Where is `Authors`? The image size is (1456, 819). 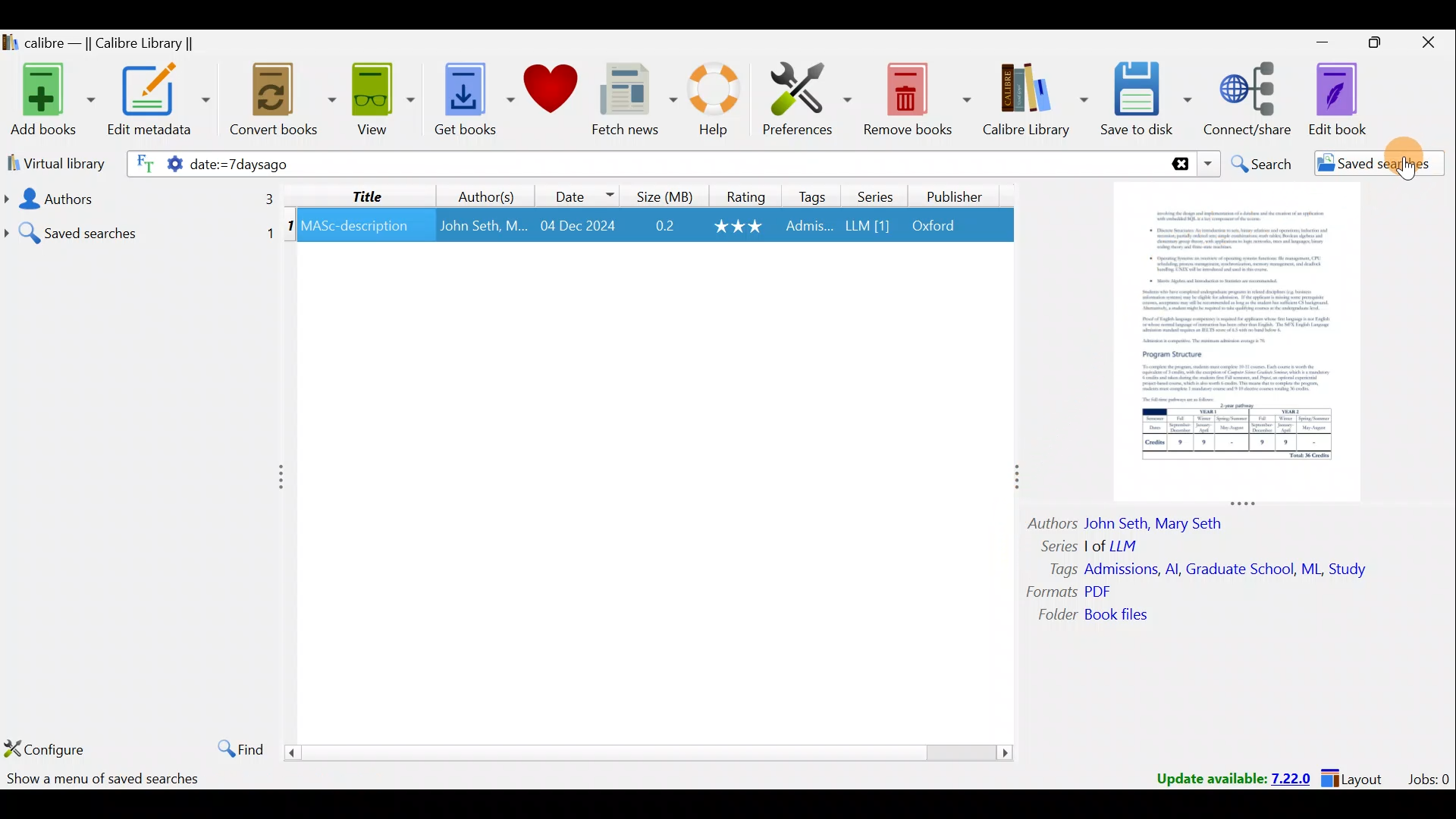 Authors is located at coordinates (136, 199).